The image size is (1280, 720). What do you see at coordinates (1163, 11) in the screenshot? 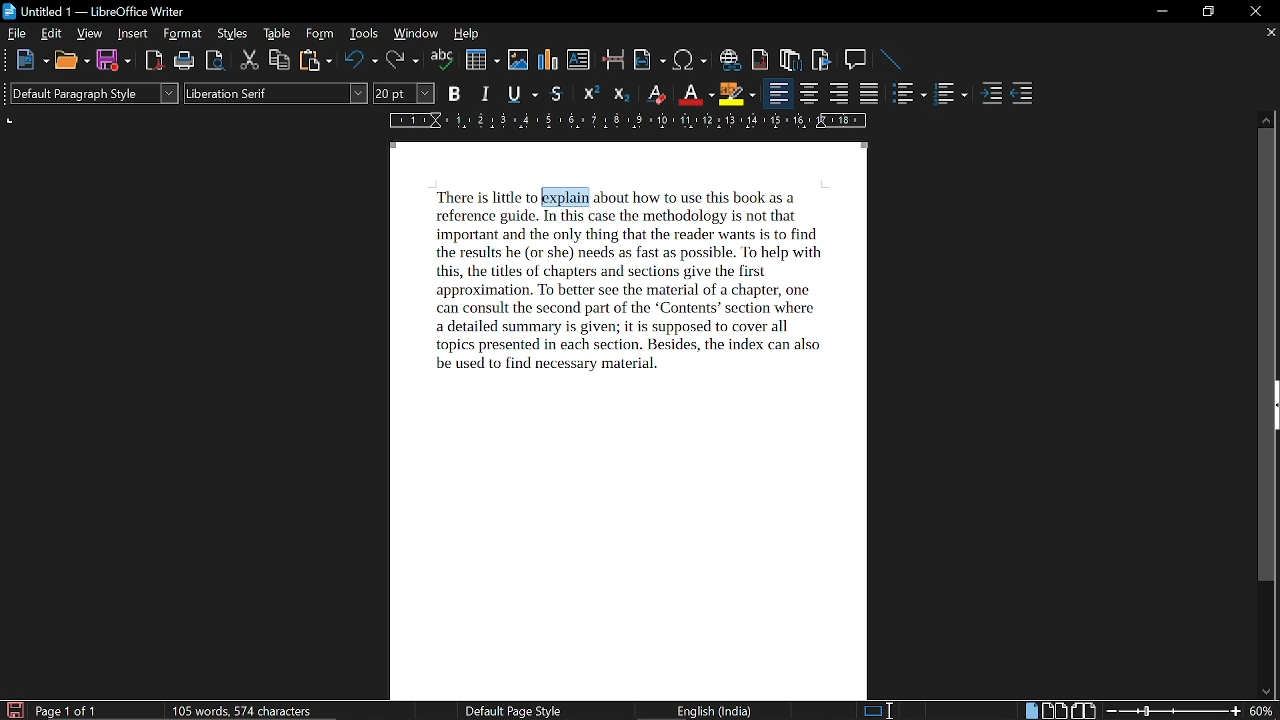
I see `minimize` at bounding box center [1163, 11].